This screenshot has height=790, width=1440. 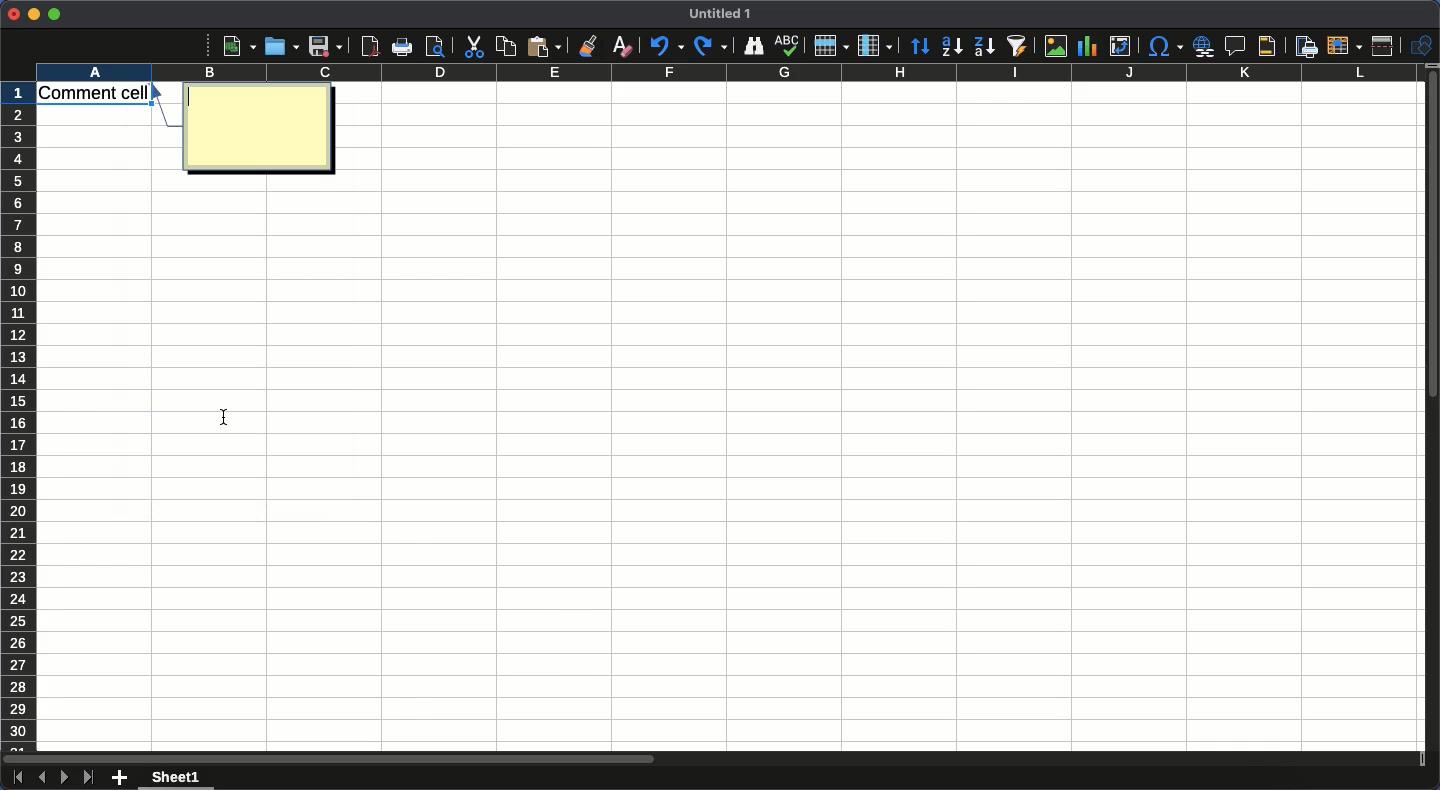 What do you see at coordinates (1424, 45) in the screenshot?
I see `Shapes` at bounding box center [1424, 45].